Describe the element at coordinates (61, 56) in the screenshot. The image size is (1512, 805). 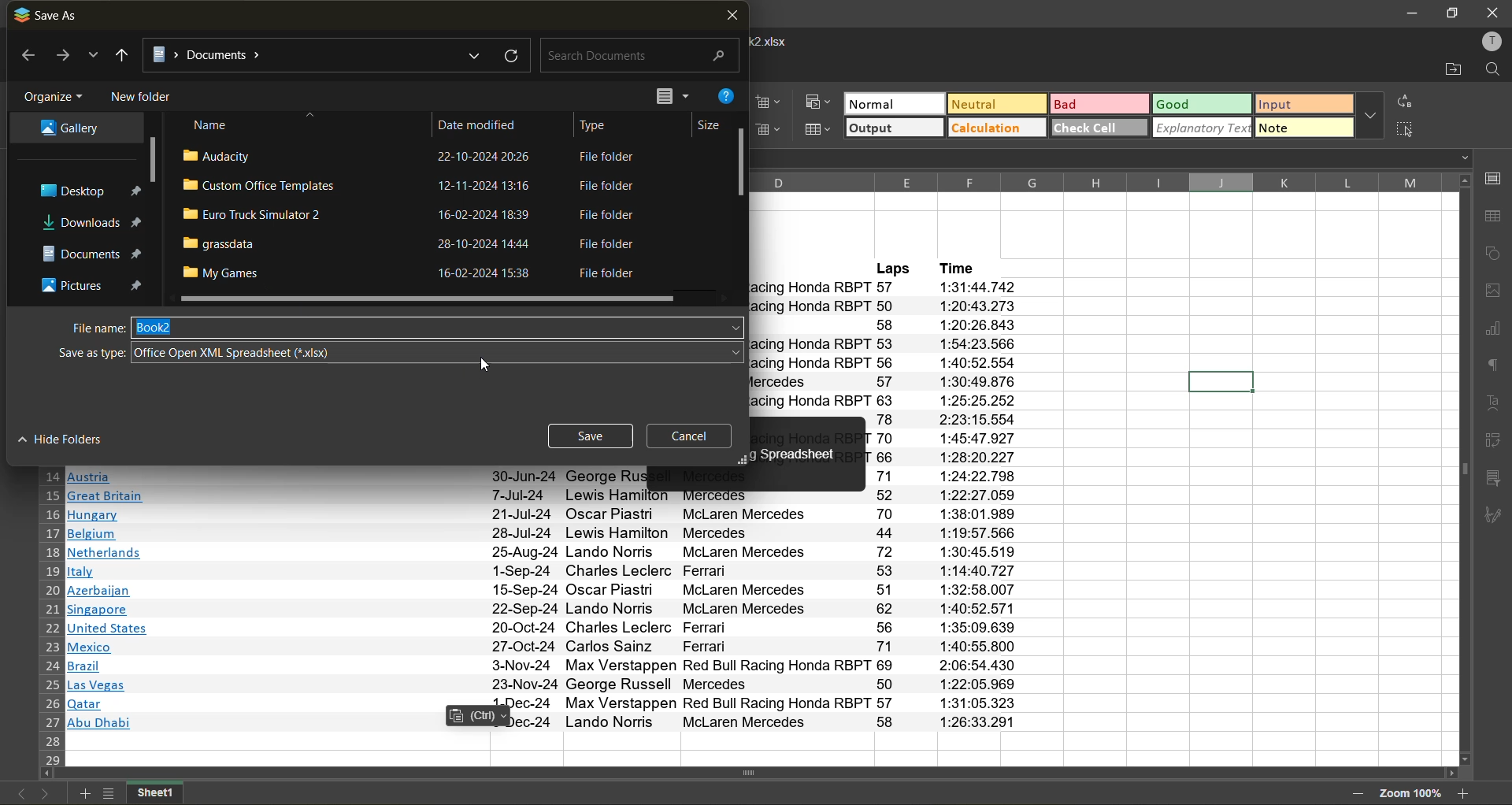
I see `next` at that location.